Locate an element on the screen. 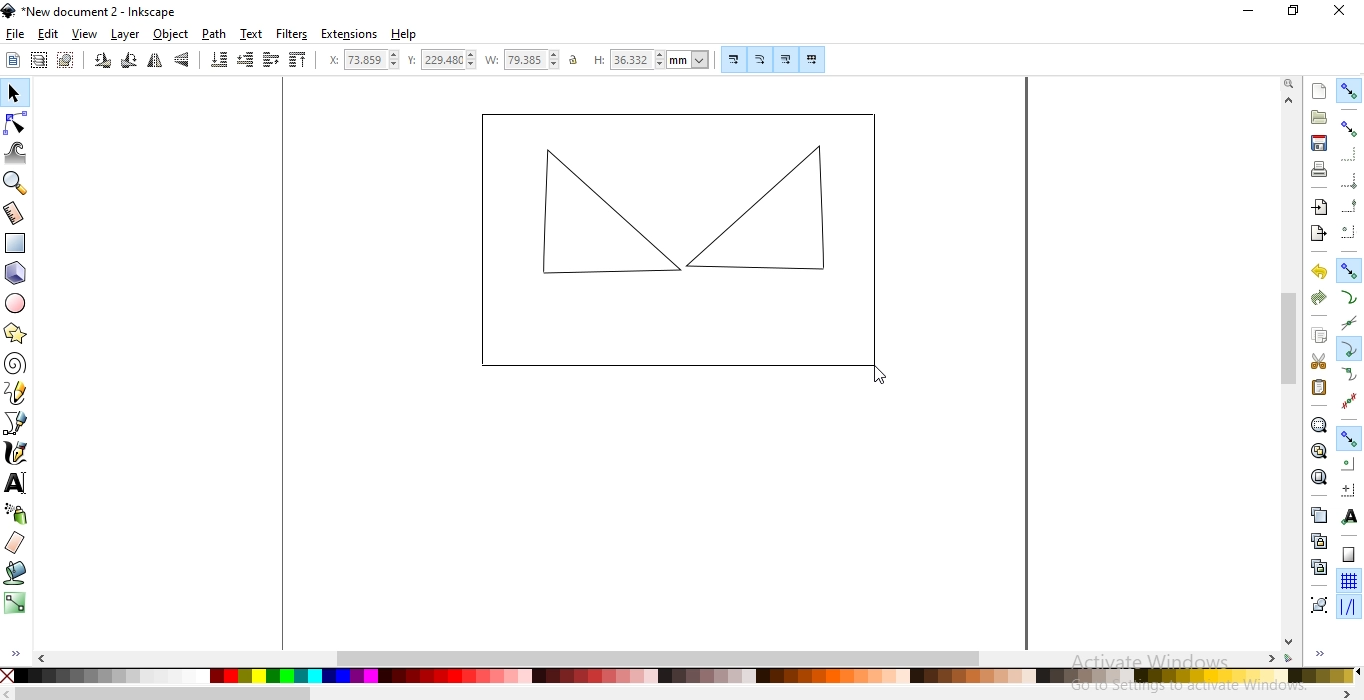 Image resolution: width=1364 pixels, height=700 pixels. vertical coordinate of selection is located at coordinates (443, 59).